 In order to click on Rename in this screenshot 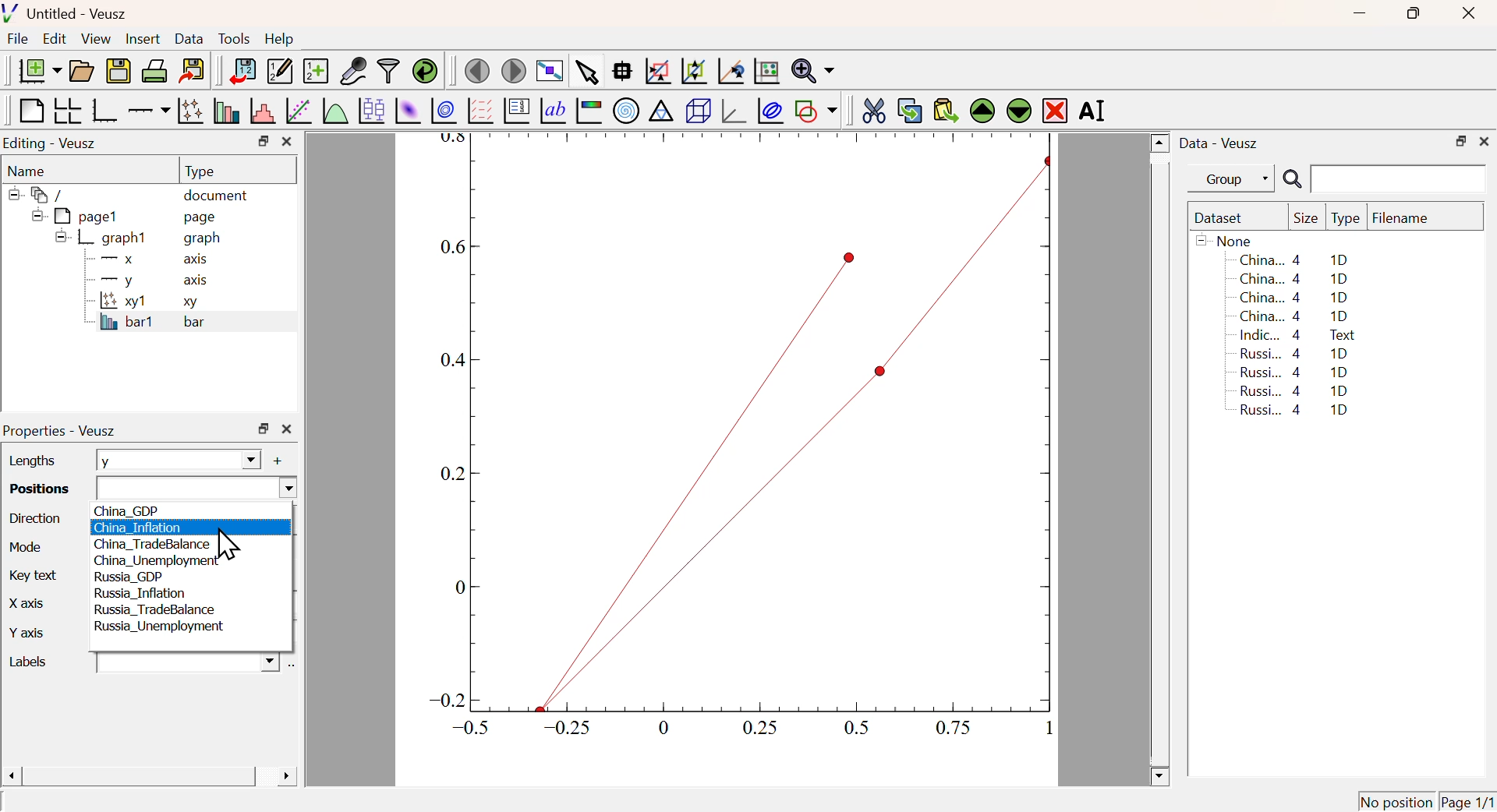, I will do `click(1095, 110)`.